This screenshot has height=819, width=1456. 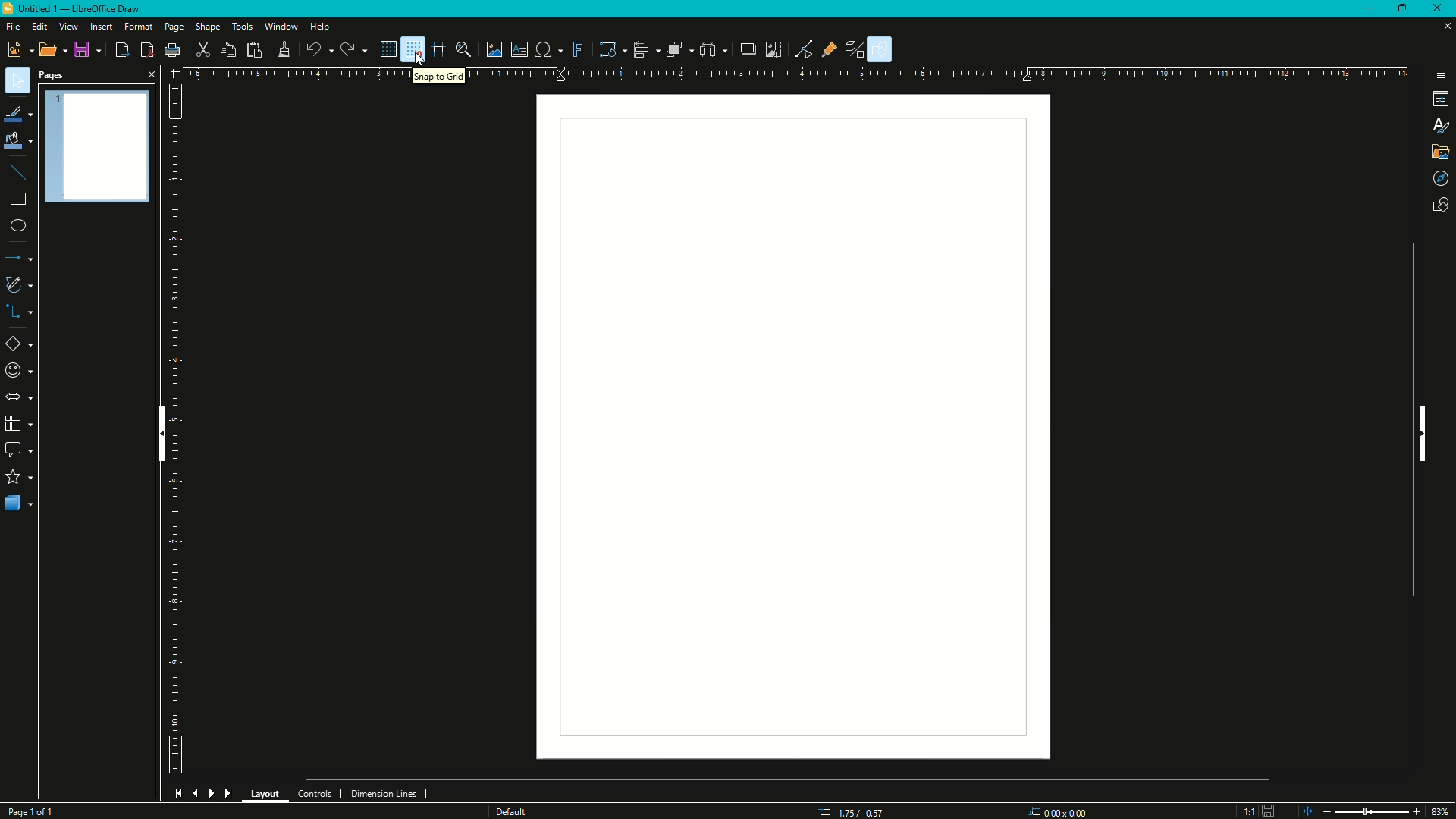 What do you see at coordinates (1438, 177) in the screenshot?
I see `Drag mode` at bounding box center [1438, 177].